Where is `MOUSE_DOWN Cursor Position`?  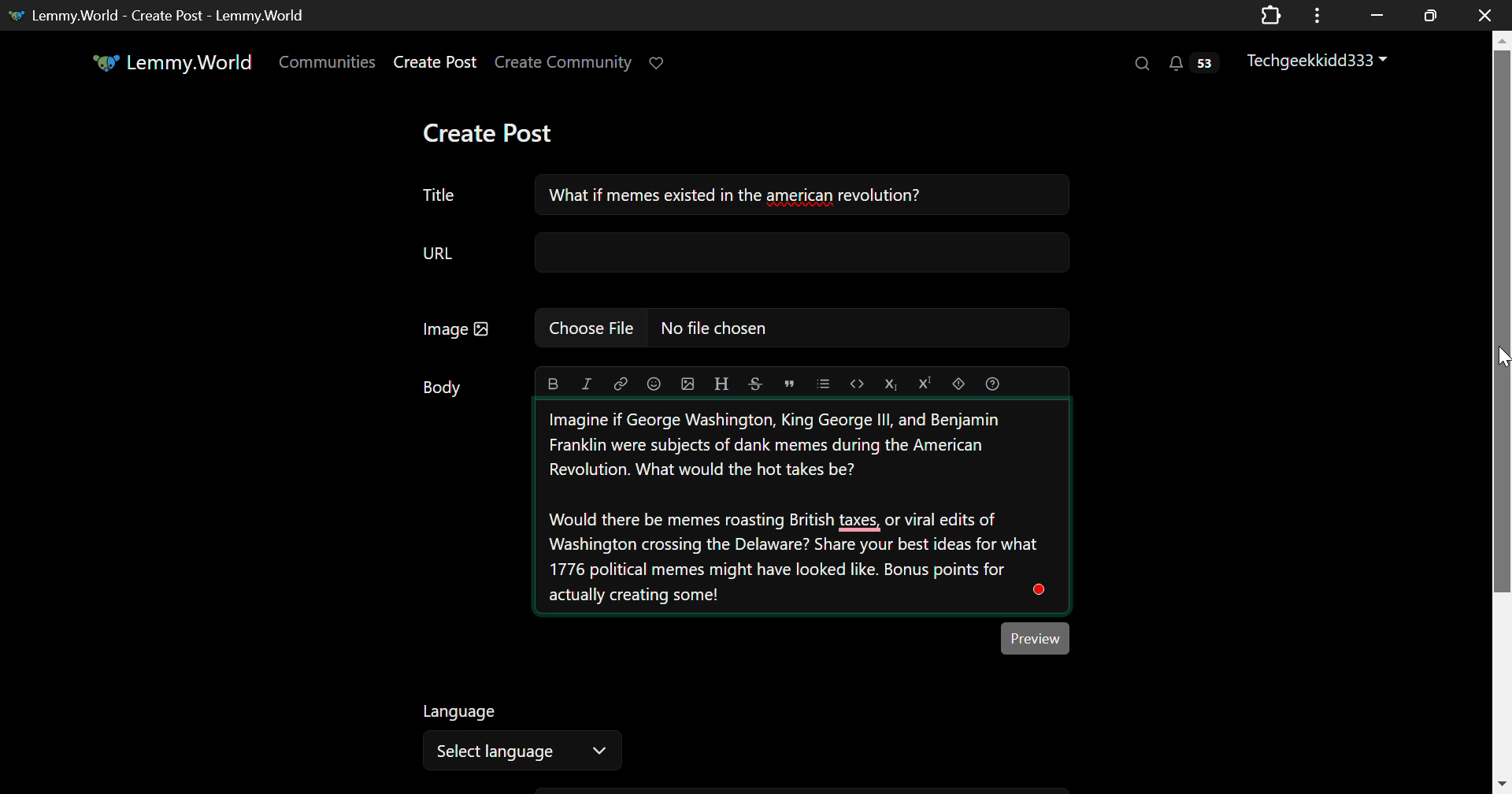 MOUSE_DOWN Cursor Position is located at coordinates (1503, 355).